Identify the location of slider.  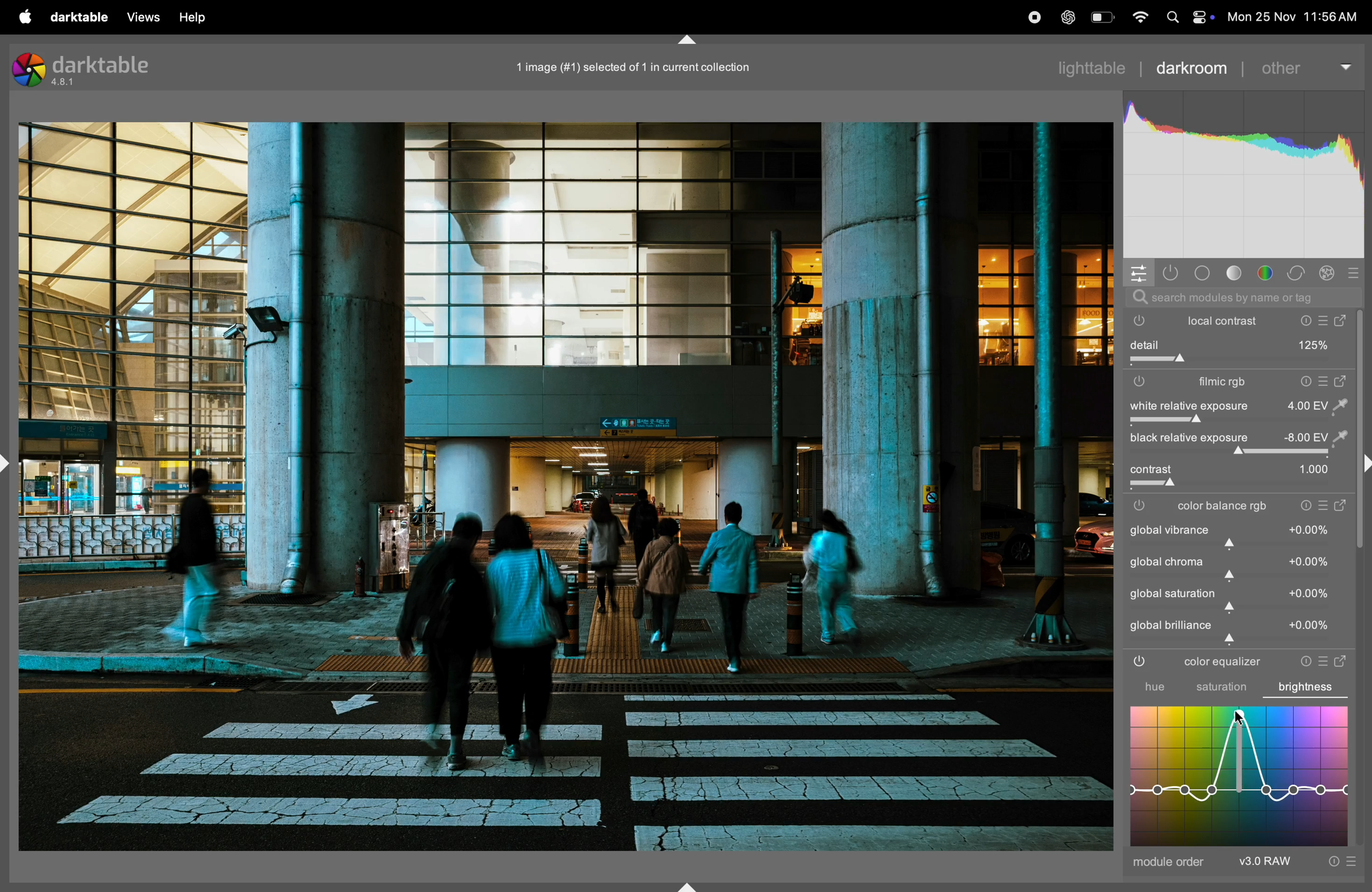
(1243, 485).